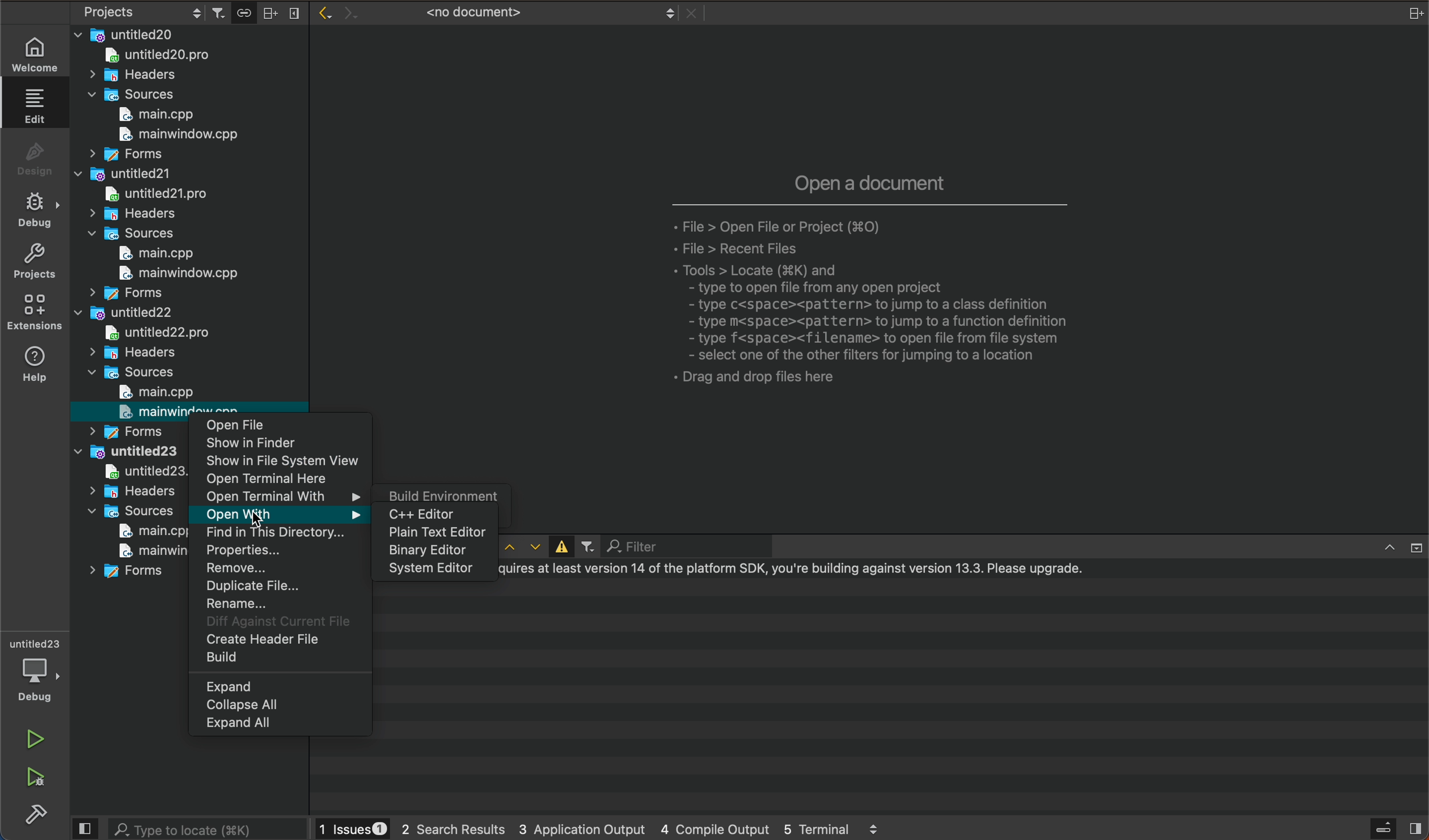  I want to click on open with, so click(282, 496).